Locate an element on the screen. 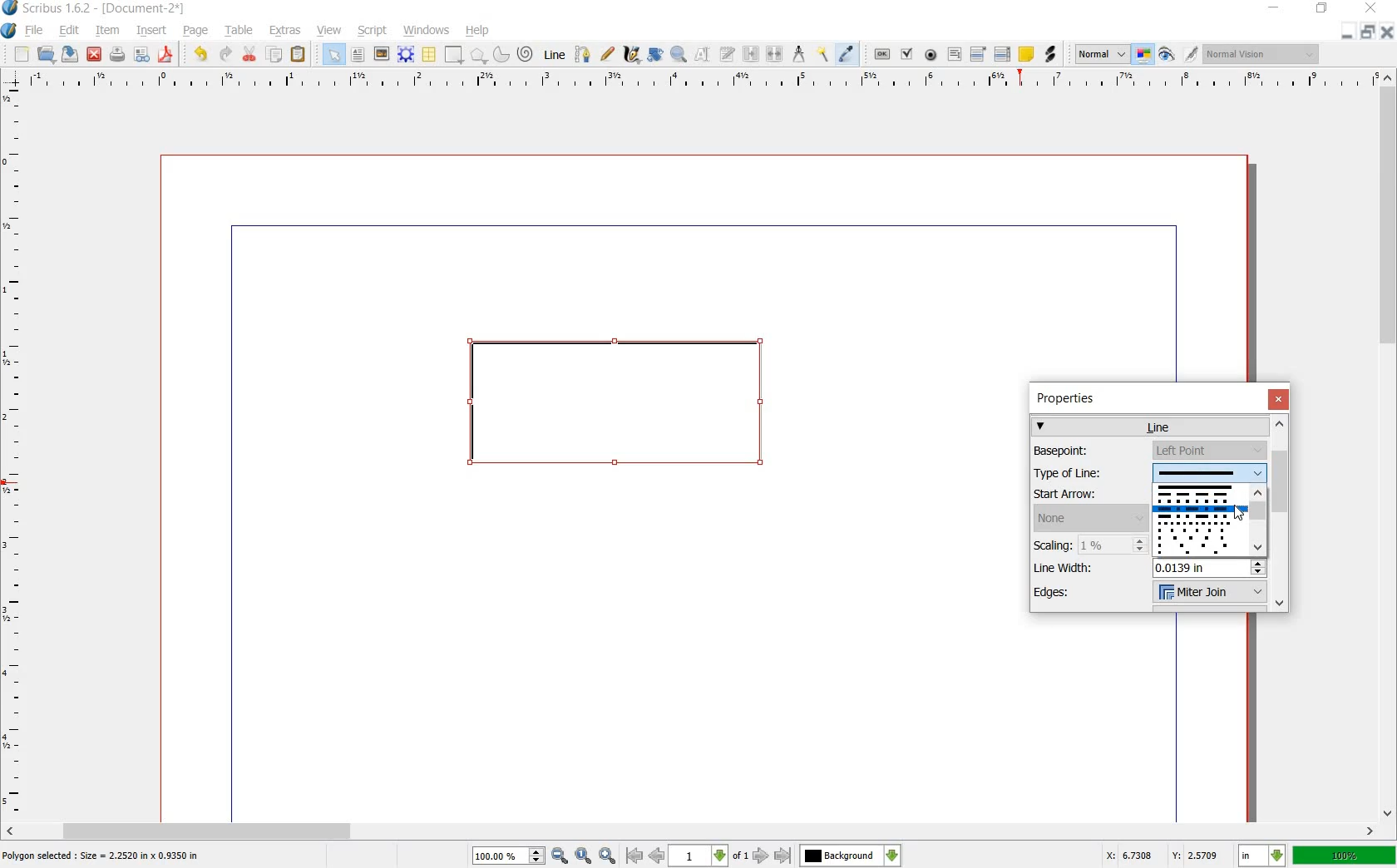 The height and width of the screenshot is (868, 1397). SPIRAL is located at coordinates (524, 55).